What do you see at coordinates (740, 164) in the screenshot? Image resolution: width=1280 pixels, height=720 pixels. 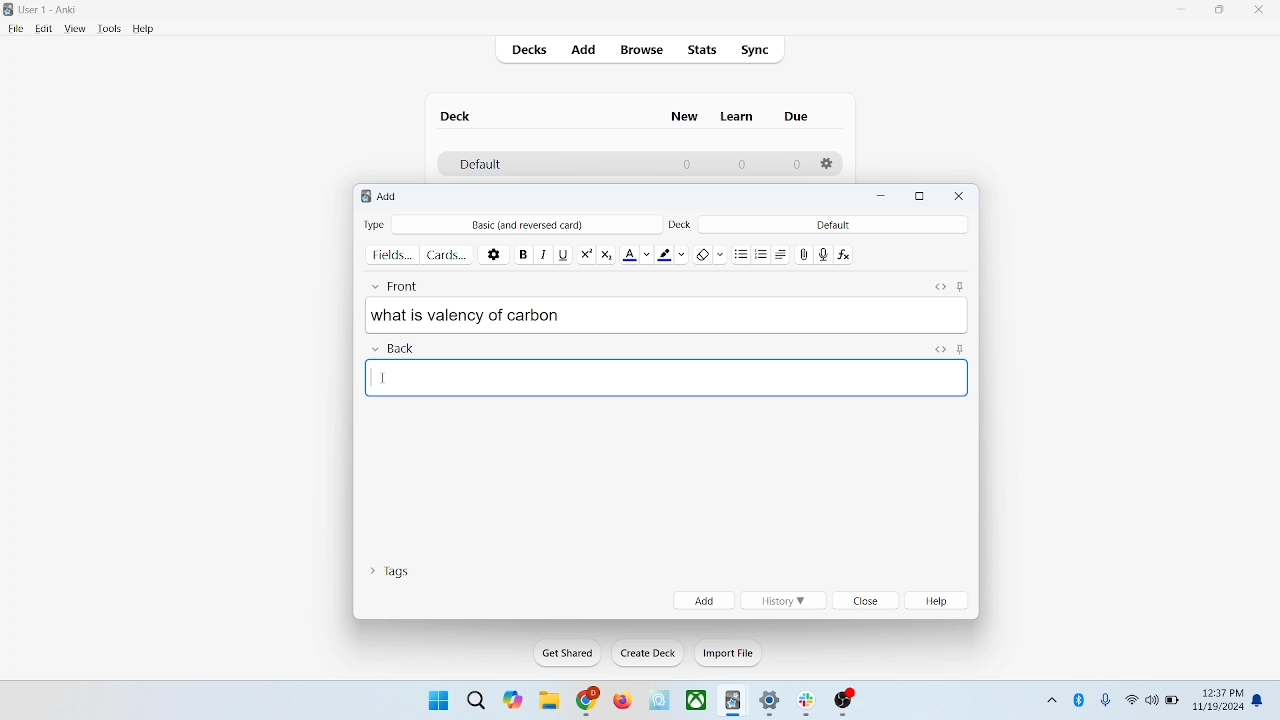 I see `0` at bounding box center [740, 164].